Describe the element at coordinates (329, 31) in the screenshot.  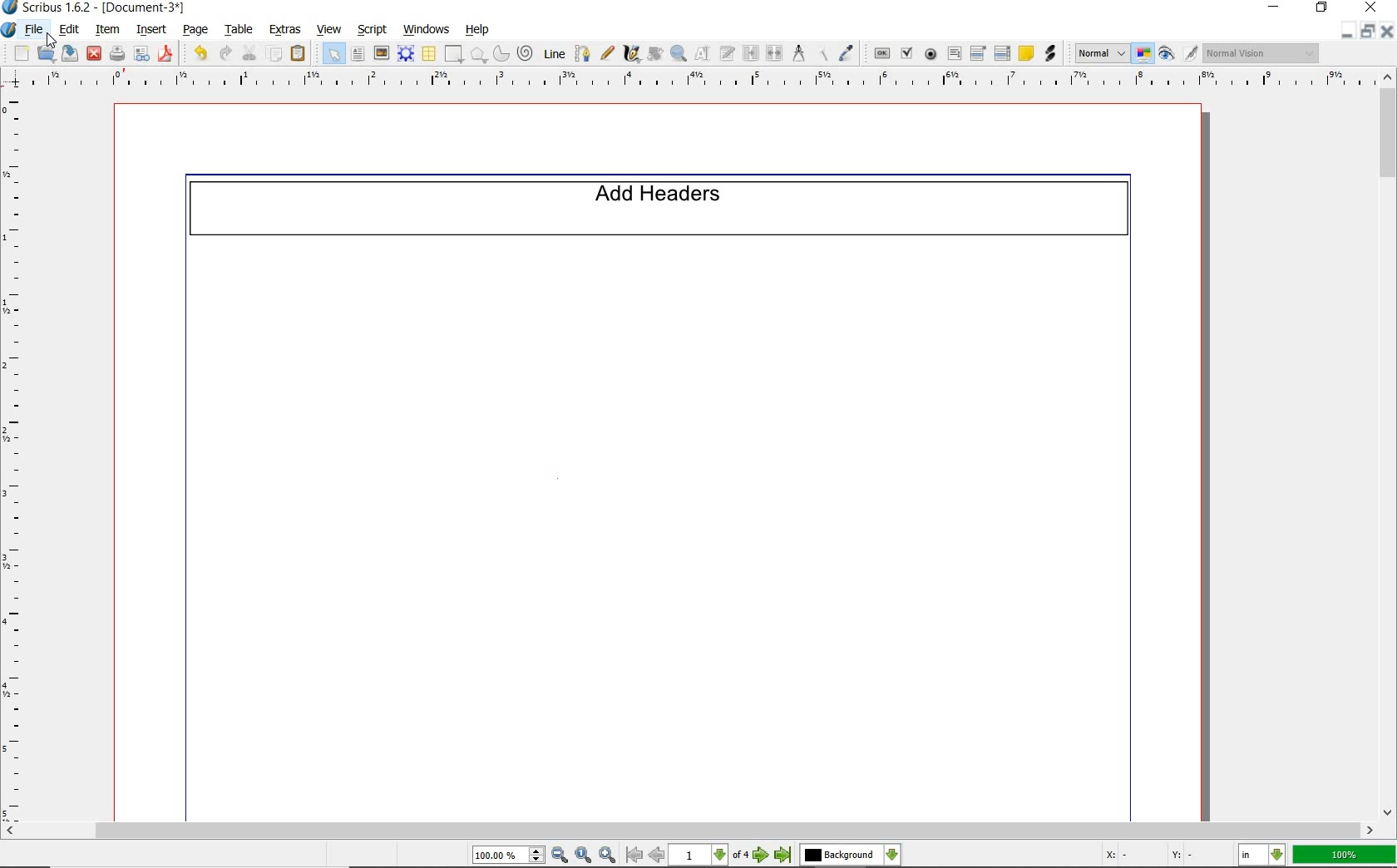
I see `view` at that location.